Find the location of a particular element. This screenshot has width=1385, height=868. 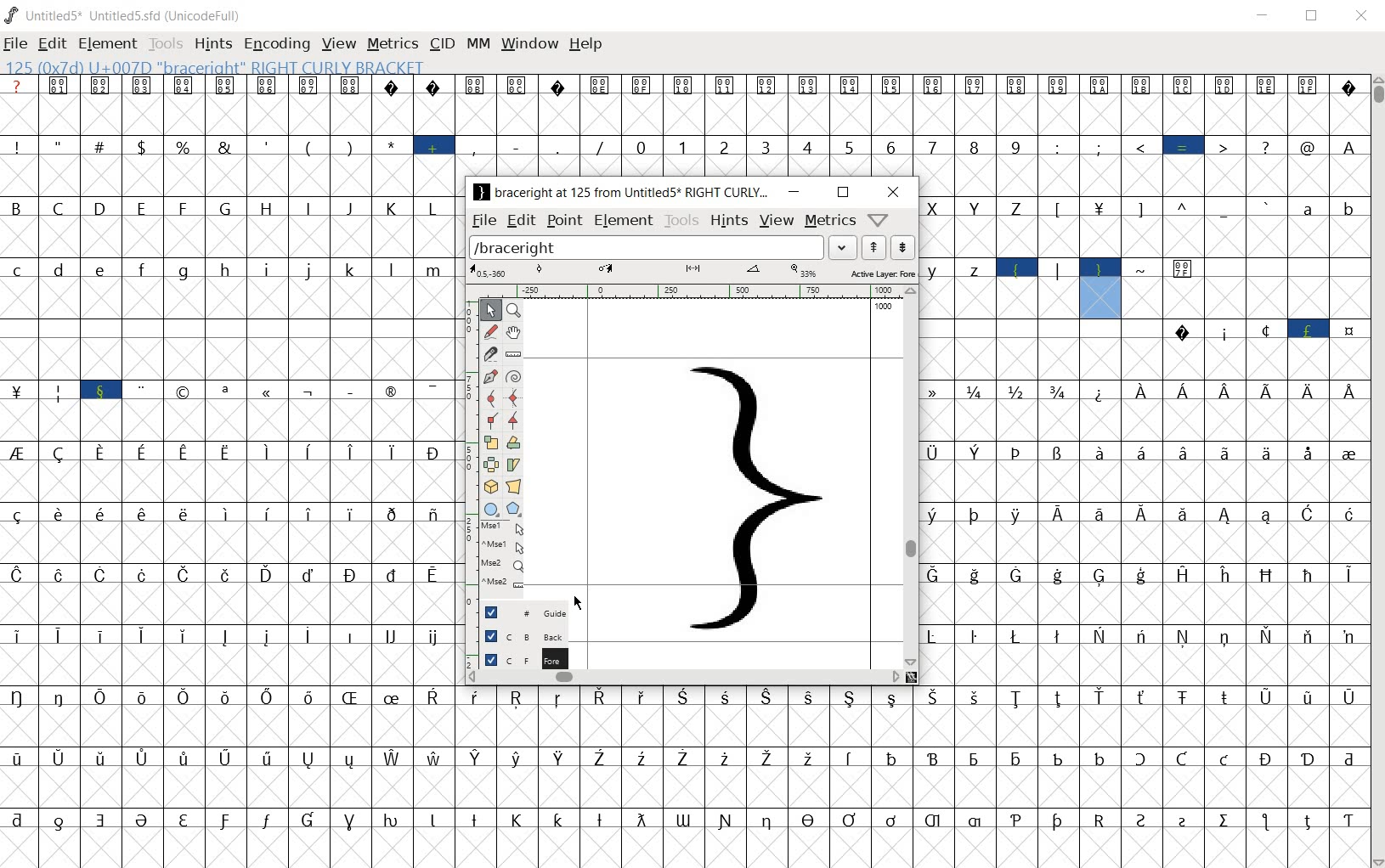

FILE is located at coordinates (16, 45).